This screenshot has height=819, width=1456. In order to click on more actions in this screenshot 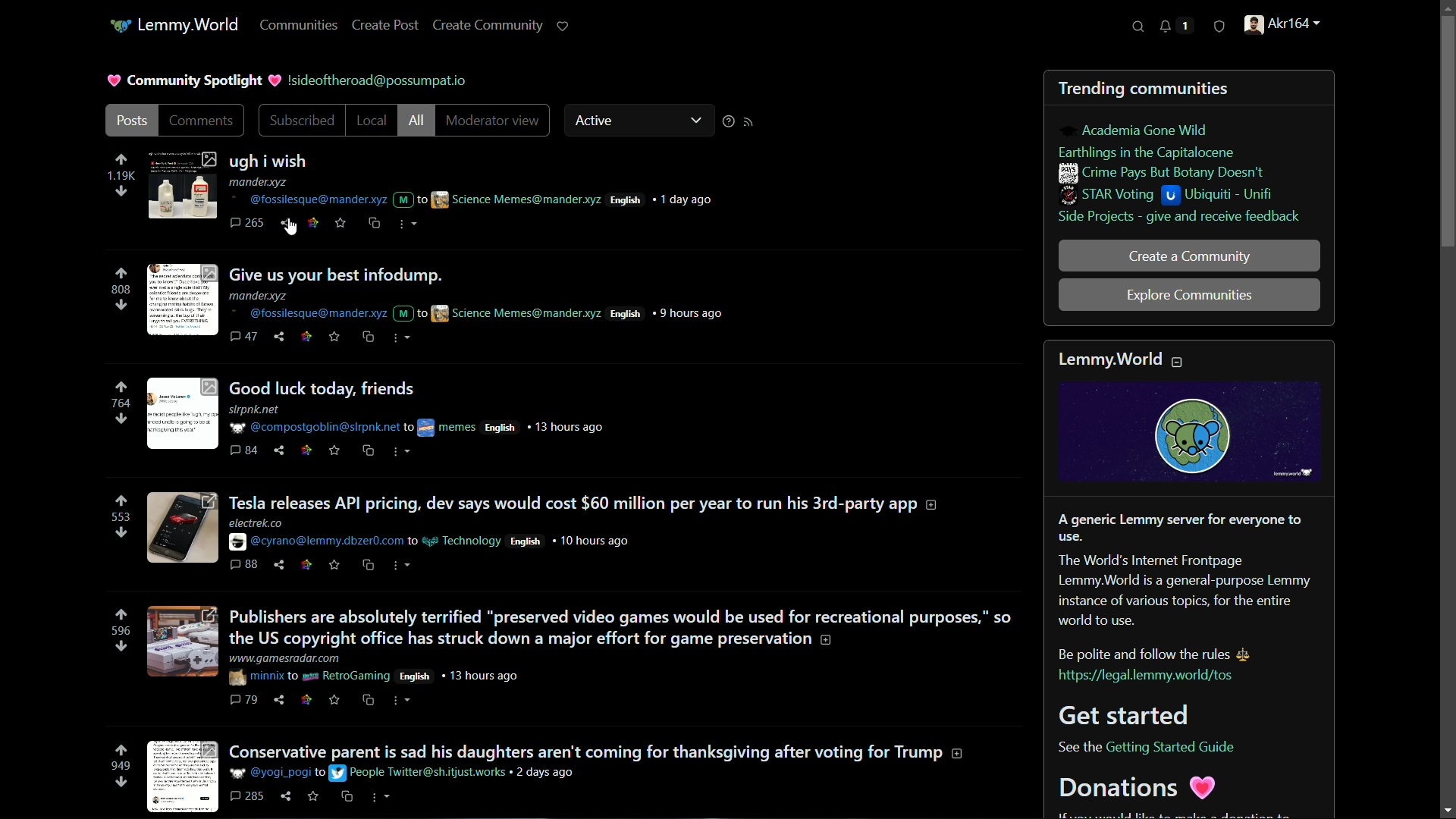, I will do `click(405, 453)`.